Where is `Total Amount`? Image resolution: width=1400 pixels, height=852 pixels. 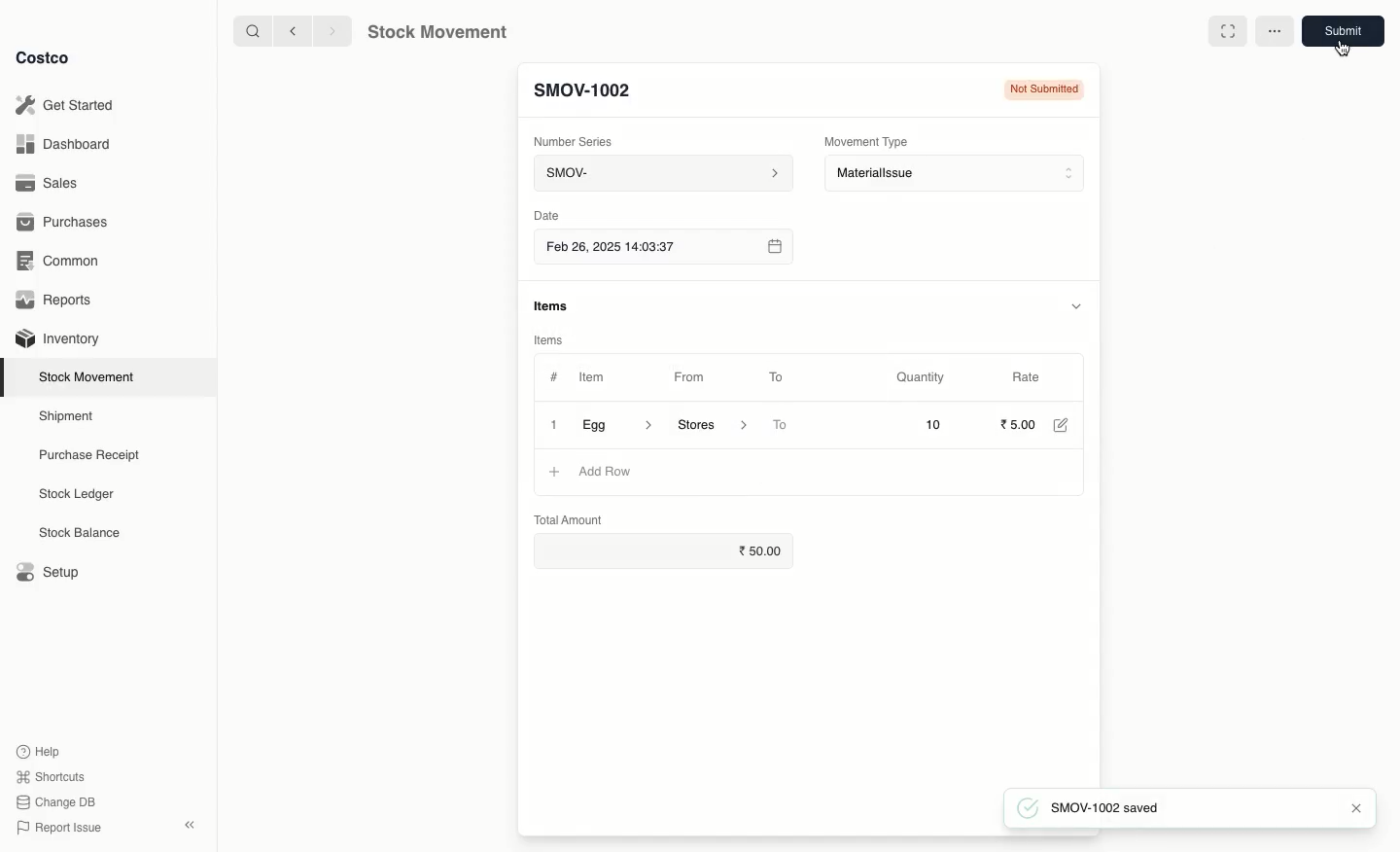 Total Amount is located at coordinates (569, 518).